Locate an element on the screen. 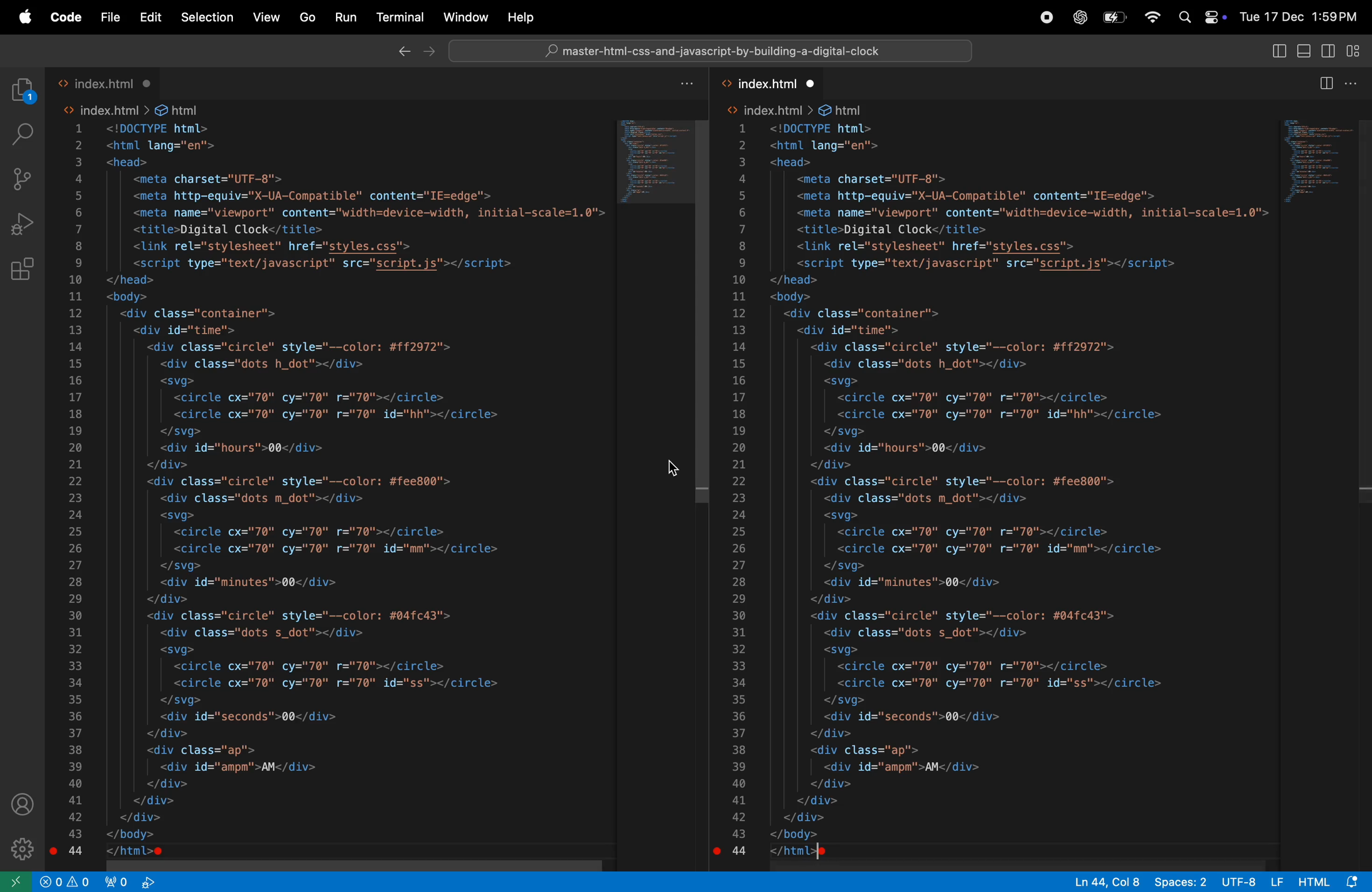 This screenshot has width=1372, height=892. Go is located at coordinates (307, 16).